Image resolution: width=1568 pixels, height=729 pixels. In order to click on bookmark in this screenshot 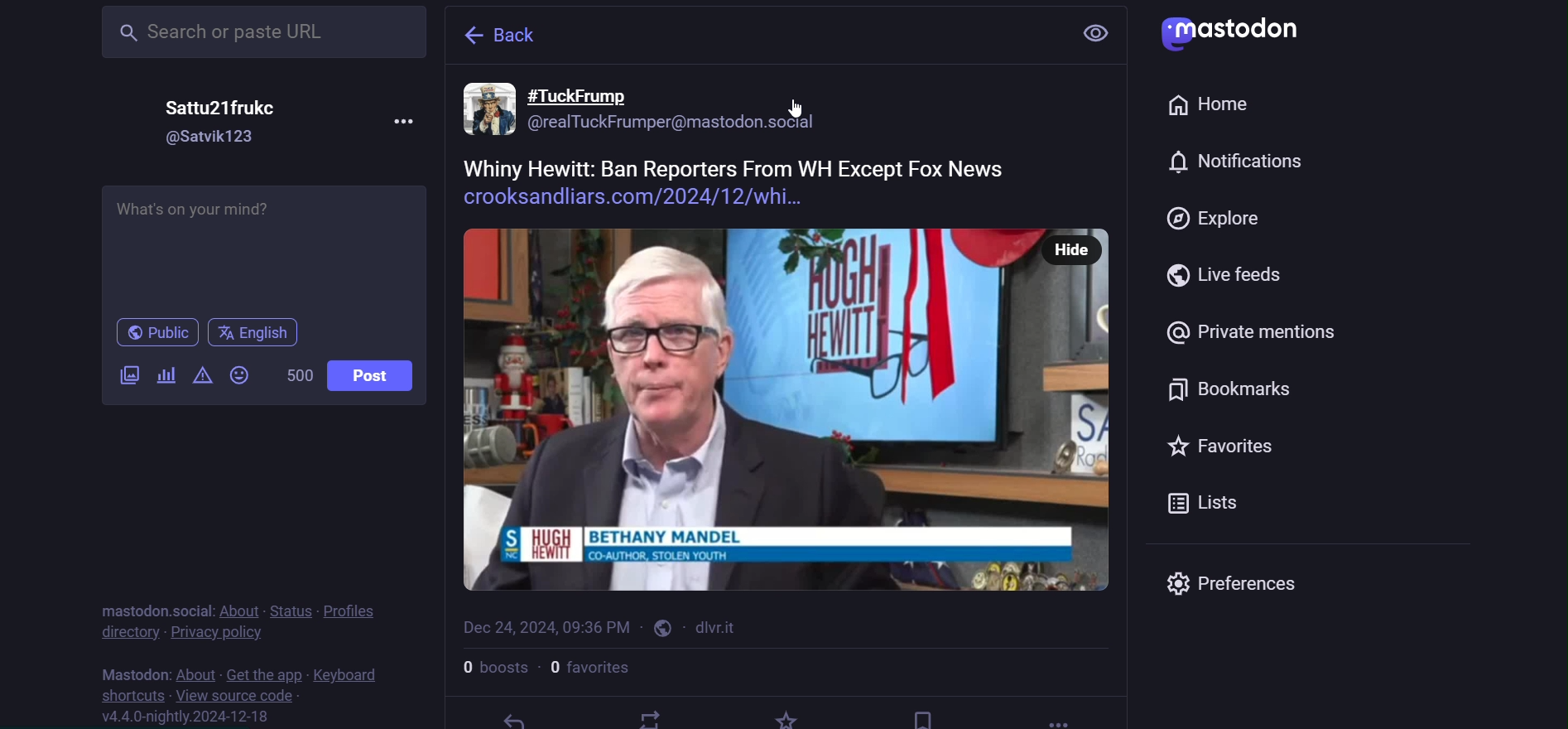, I will do `click(1231, 388)`.